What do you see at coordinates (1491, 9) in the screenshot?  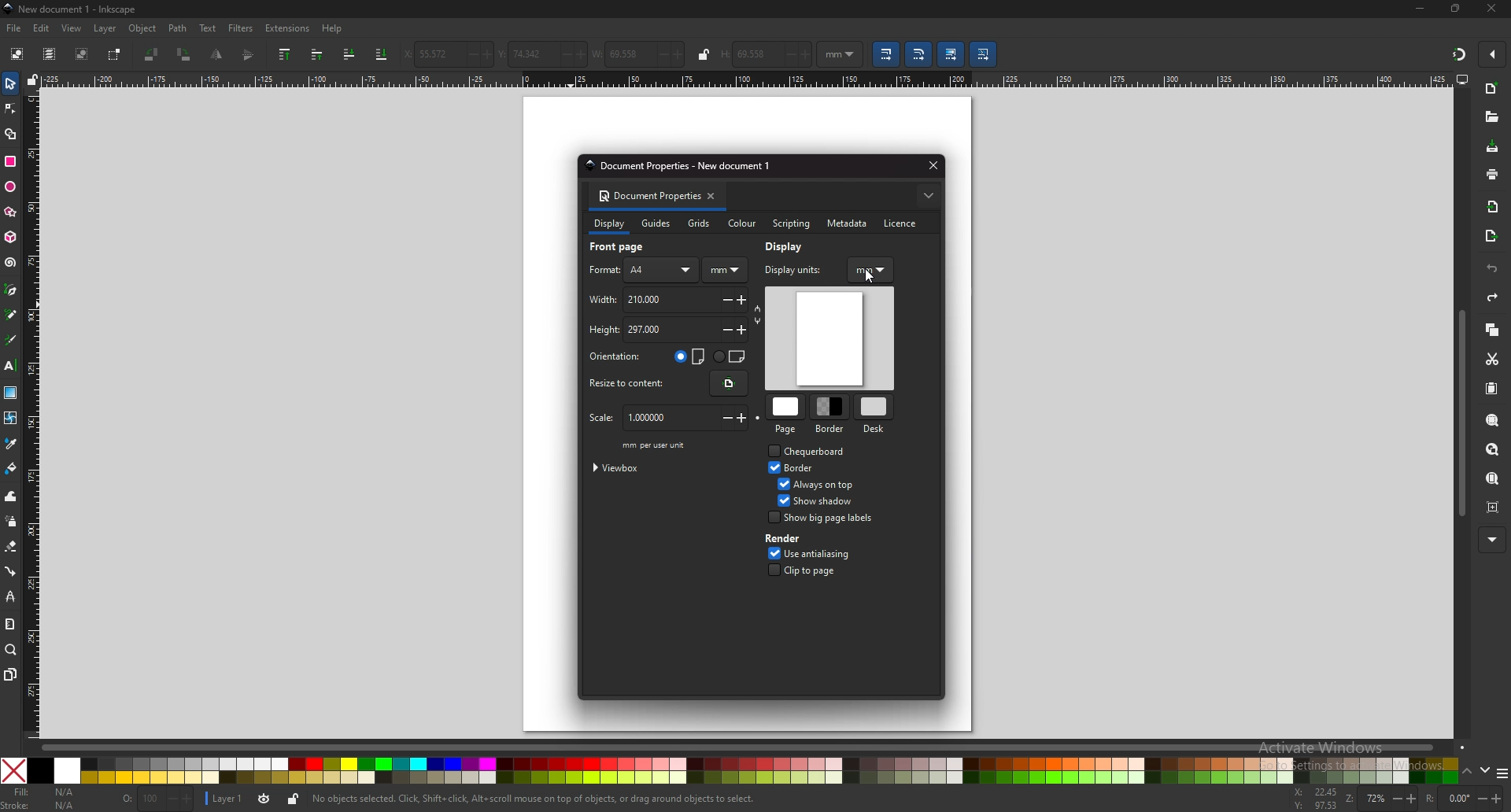 I see `close` at bounding box center [1491, 9].